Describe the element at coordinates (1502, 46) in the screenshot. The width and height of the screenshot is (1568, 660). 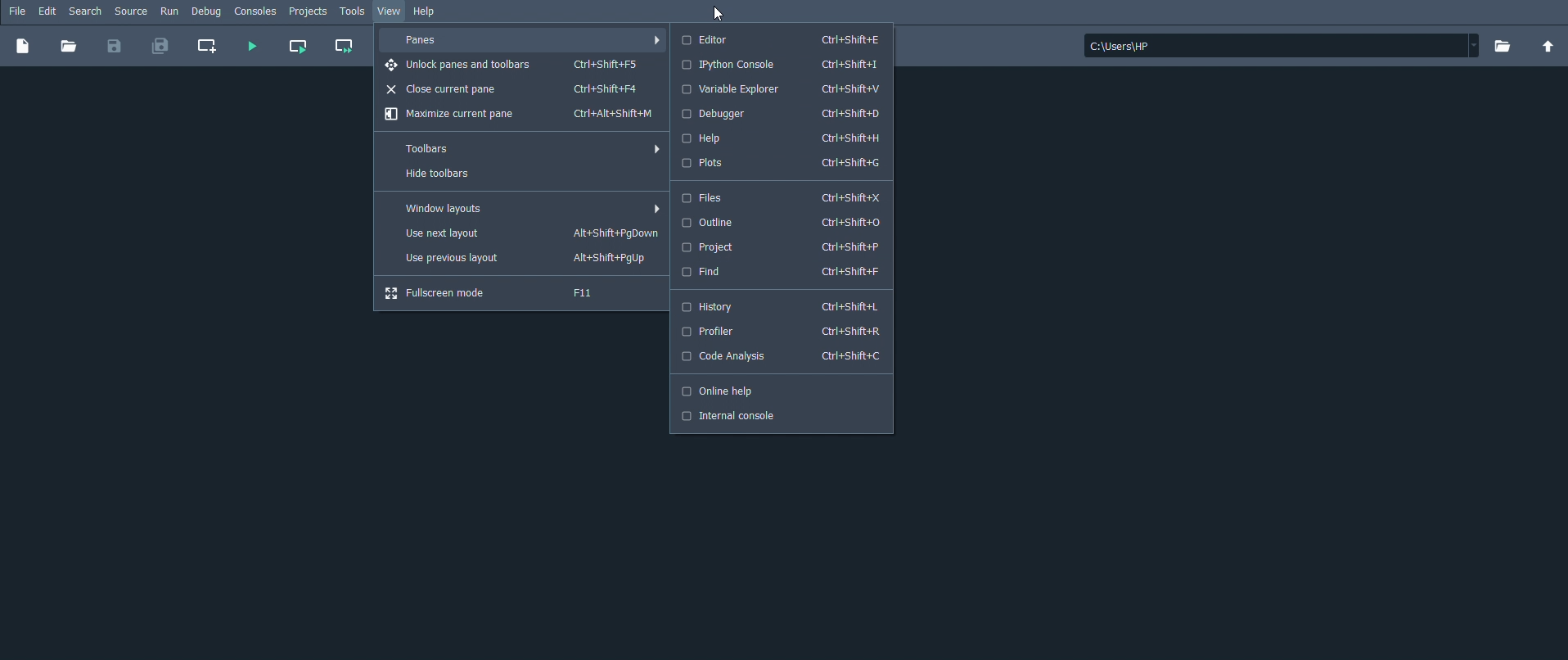
I see `Browse a working directory` at that location.